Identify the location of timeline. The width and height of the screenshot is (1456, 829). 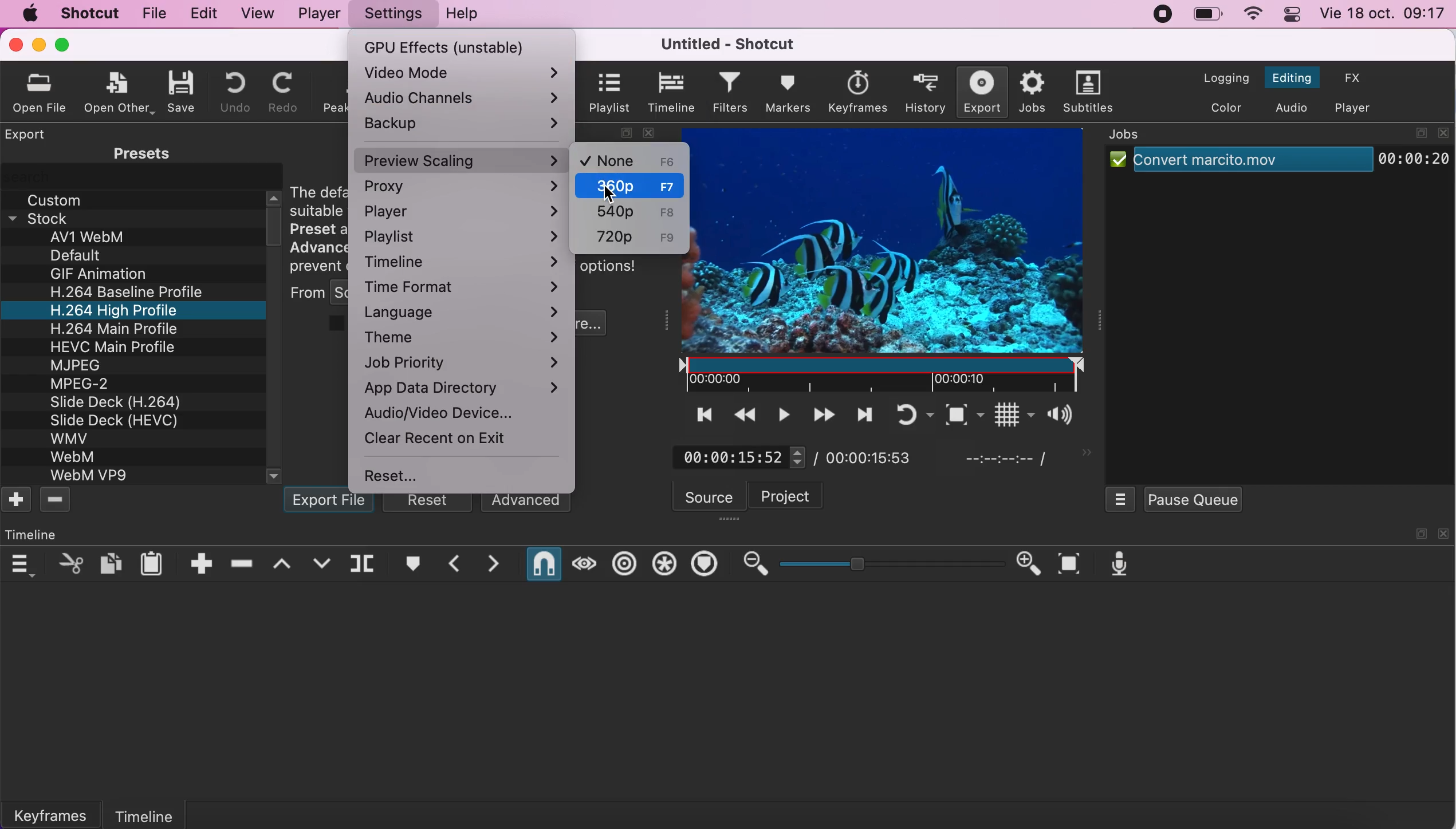
(467, 261).